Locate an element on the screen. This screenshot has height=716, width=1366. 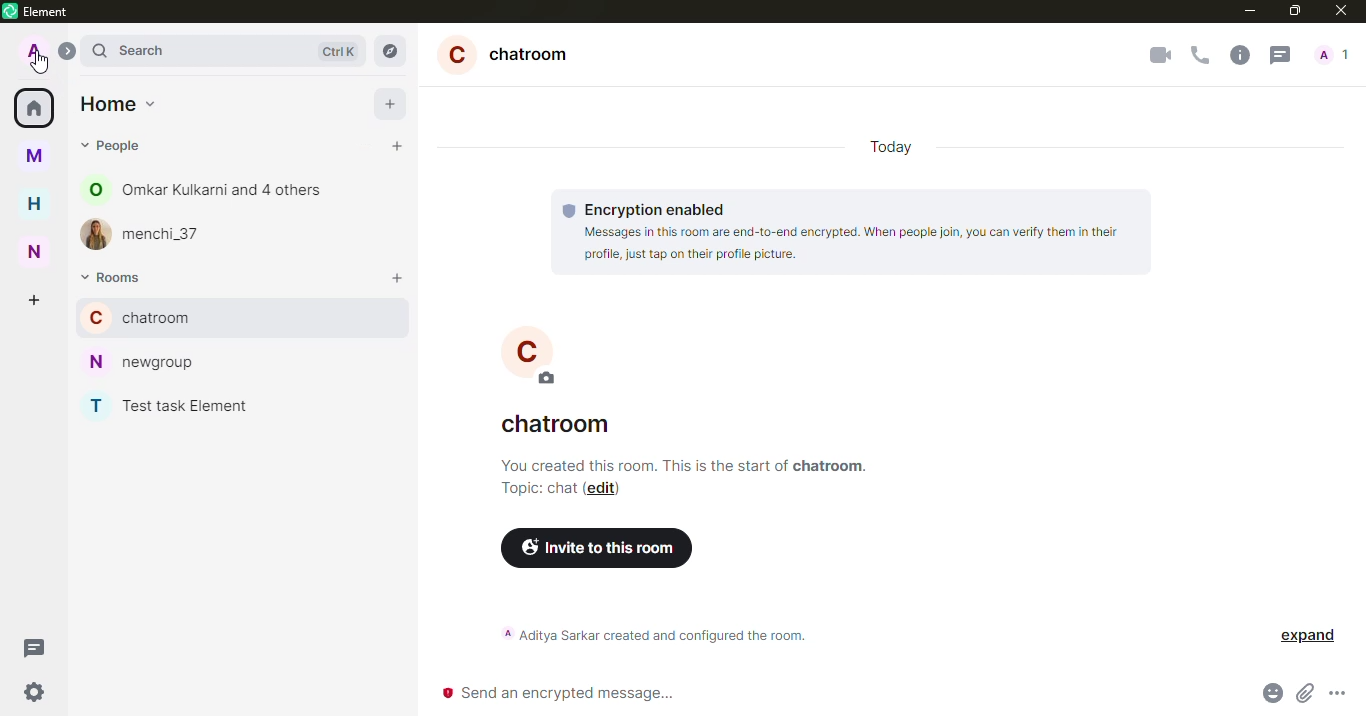
element is located at coordinates (49, 13).